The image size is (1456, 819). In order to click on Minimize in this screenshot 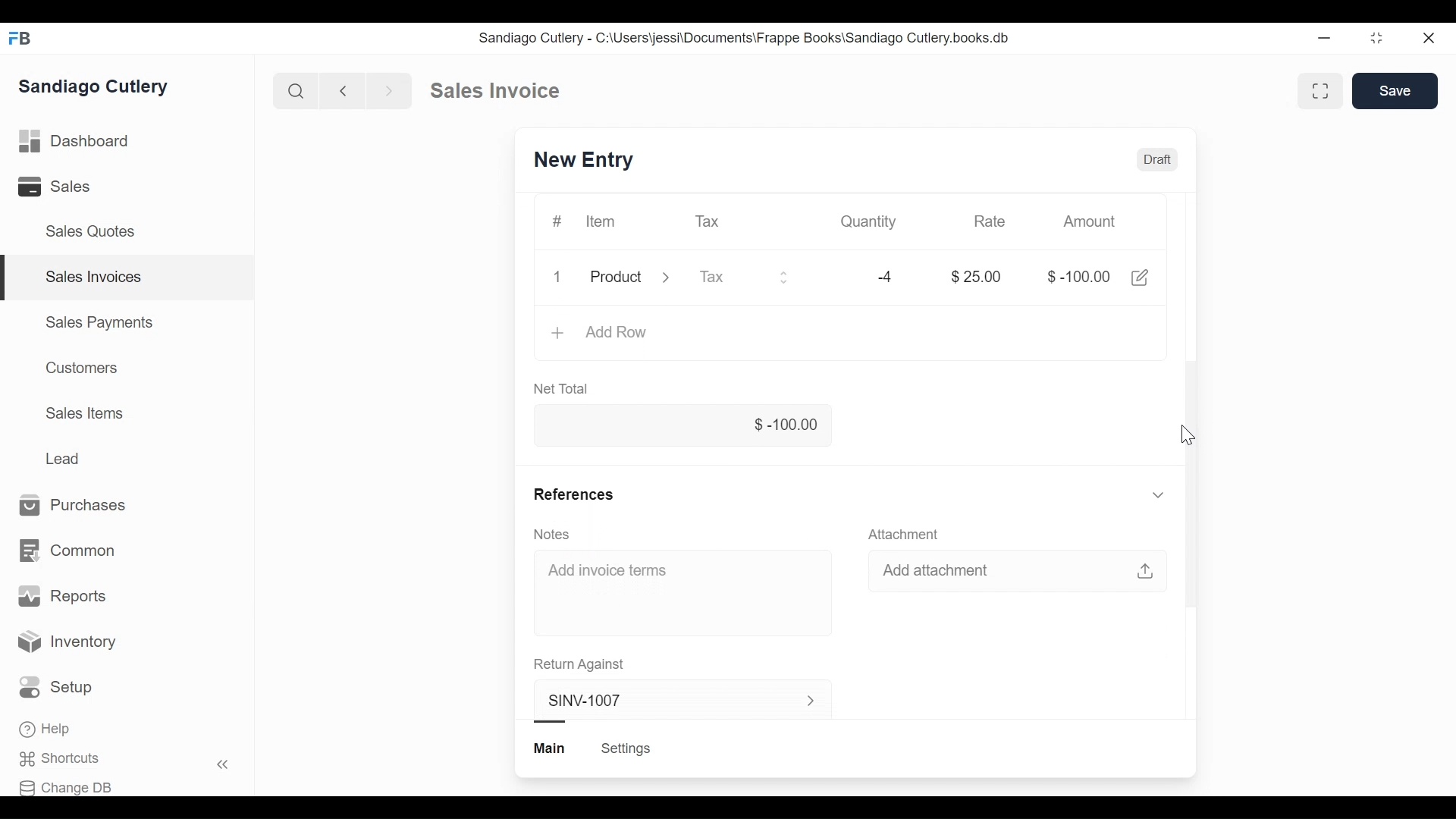, I will do `click(1323, 38)`.